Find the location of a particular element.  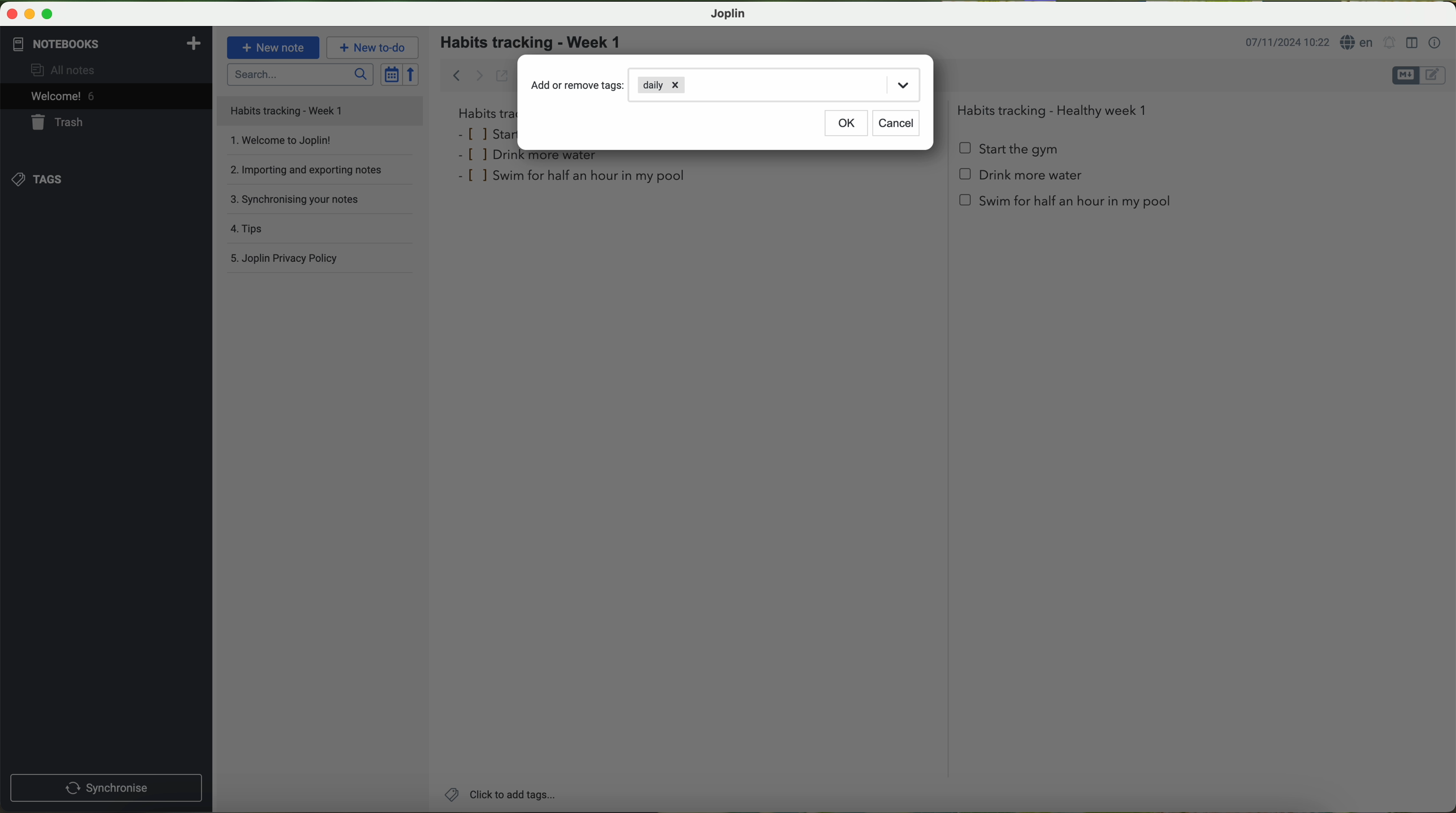

swim for half an hour in my pool is located at coordinates (574, 178).